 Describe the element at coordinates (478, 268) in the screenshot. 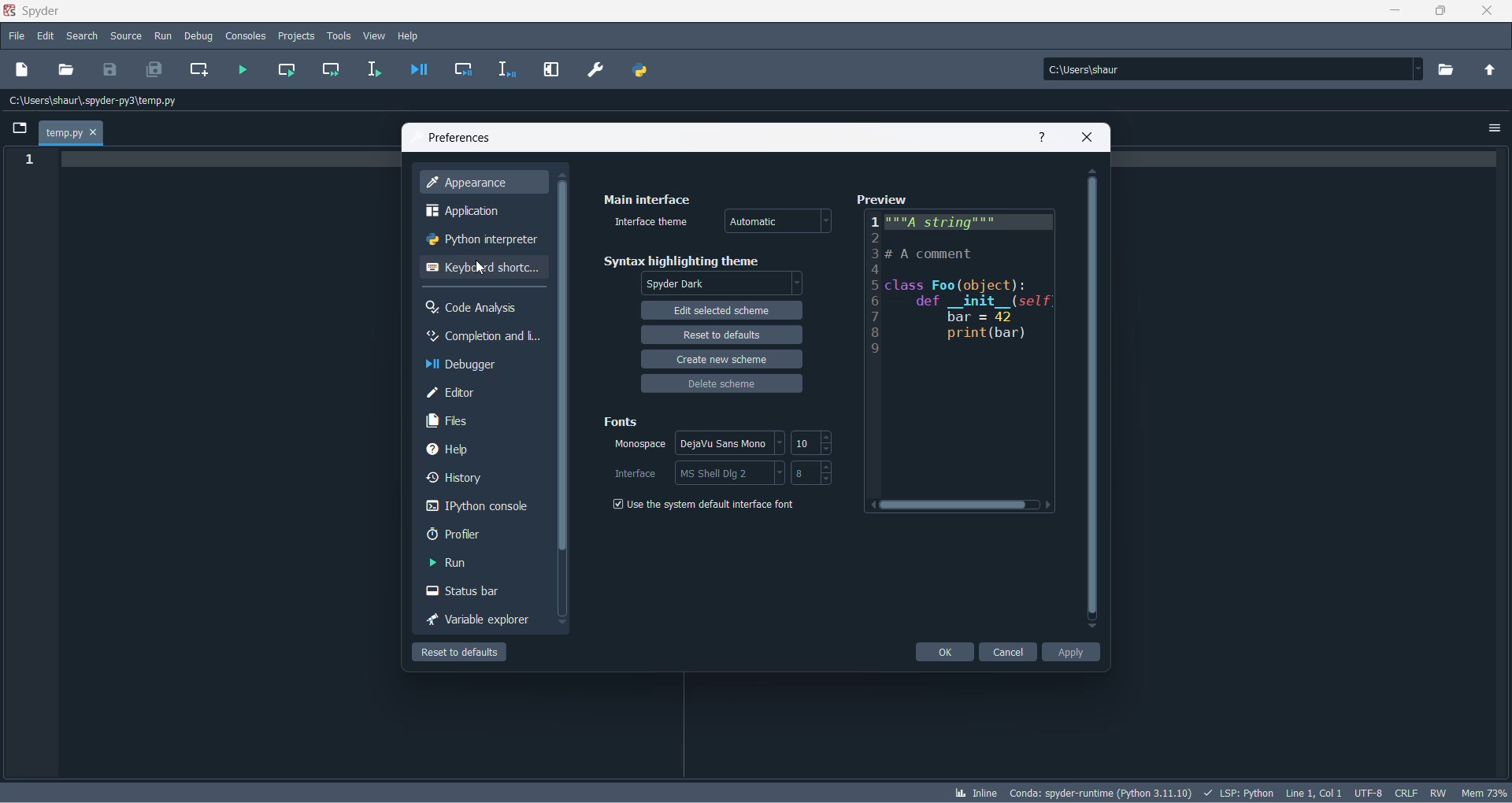

I see `cursor` at that location.